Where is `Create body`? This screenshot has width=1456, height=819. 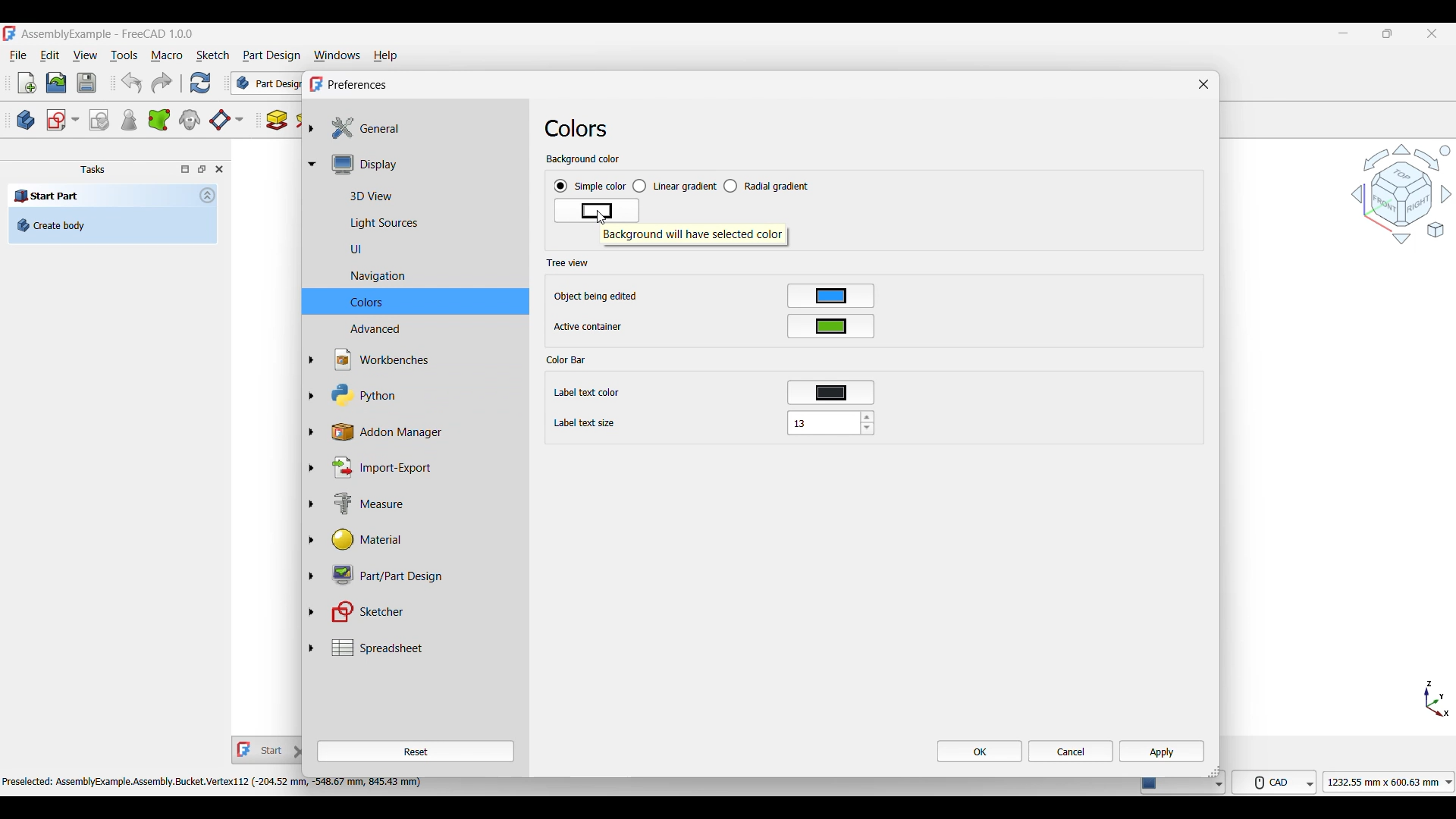 Create body is located at coordinates (112, 225).